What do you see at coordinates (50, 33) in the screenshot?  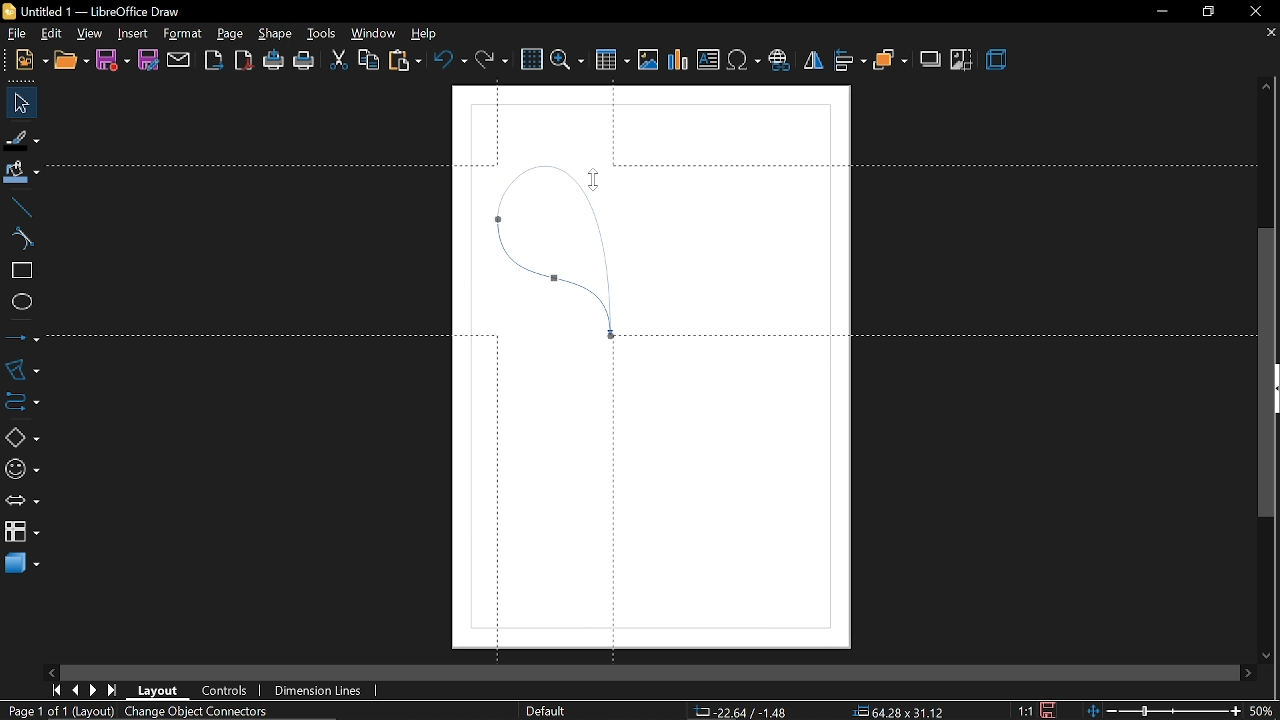 I see `edit` at bounding box center [50, 33].